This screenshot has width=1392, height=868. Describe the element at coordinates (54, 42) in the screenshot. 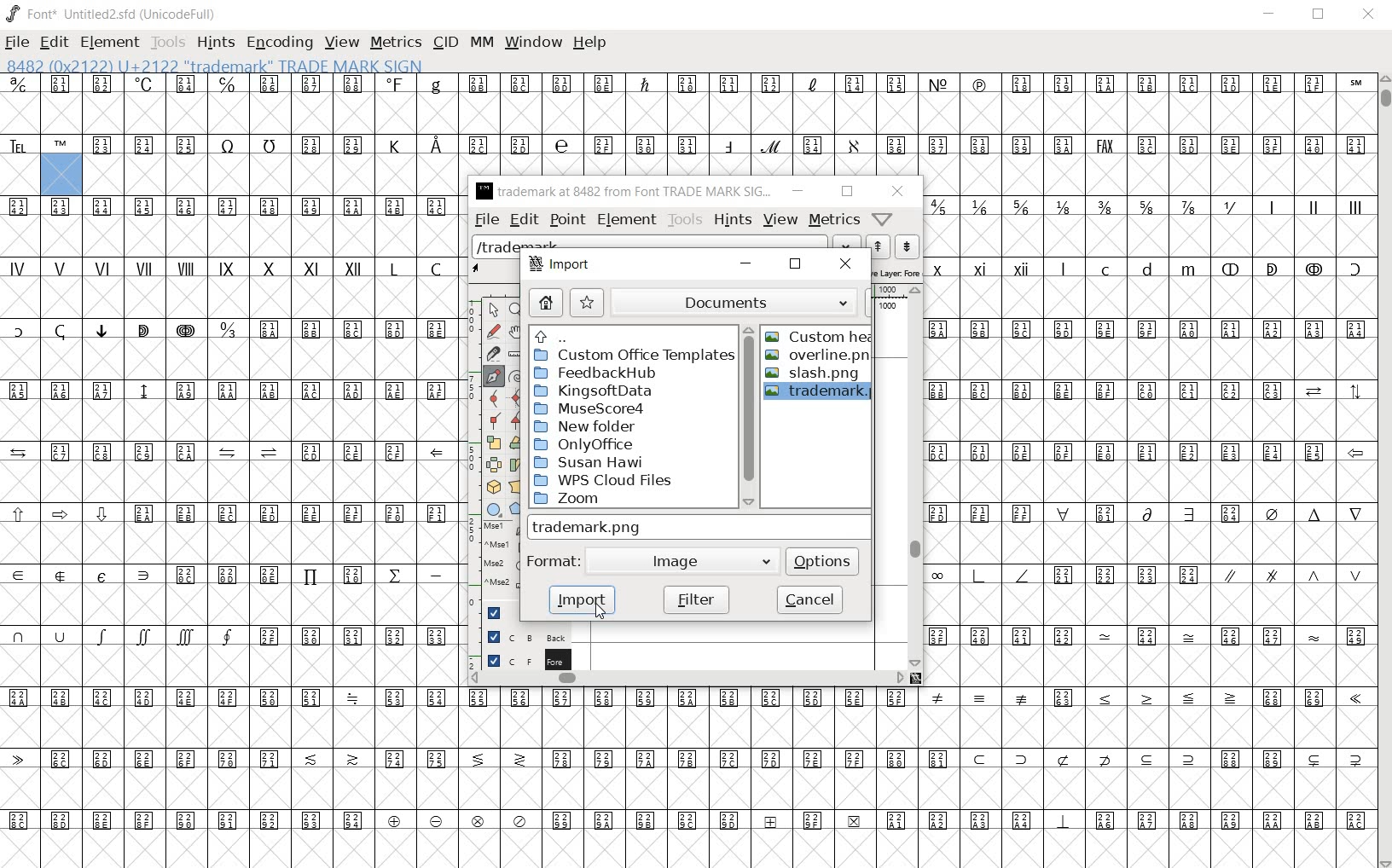

I see `EDIT` at that location.